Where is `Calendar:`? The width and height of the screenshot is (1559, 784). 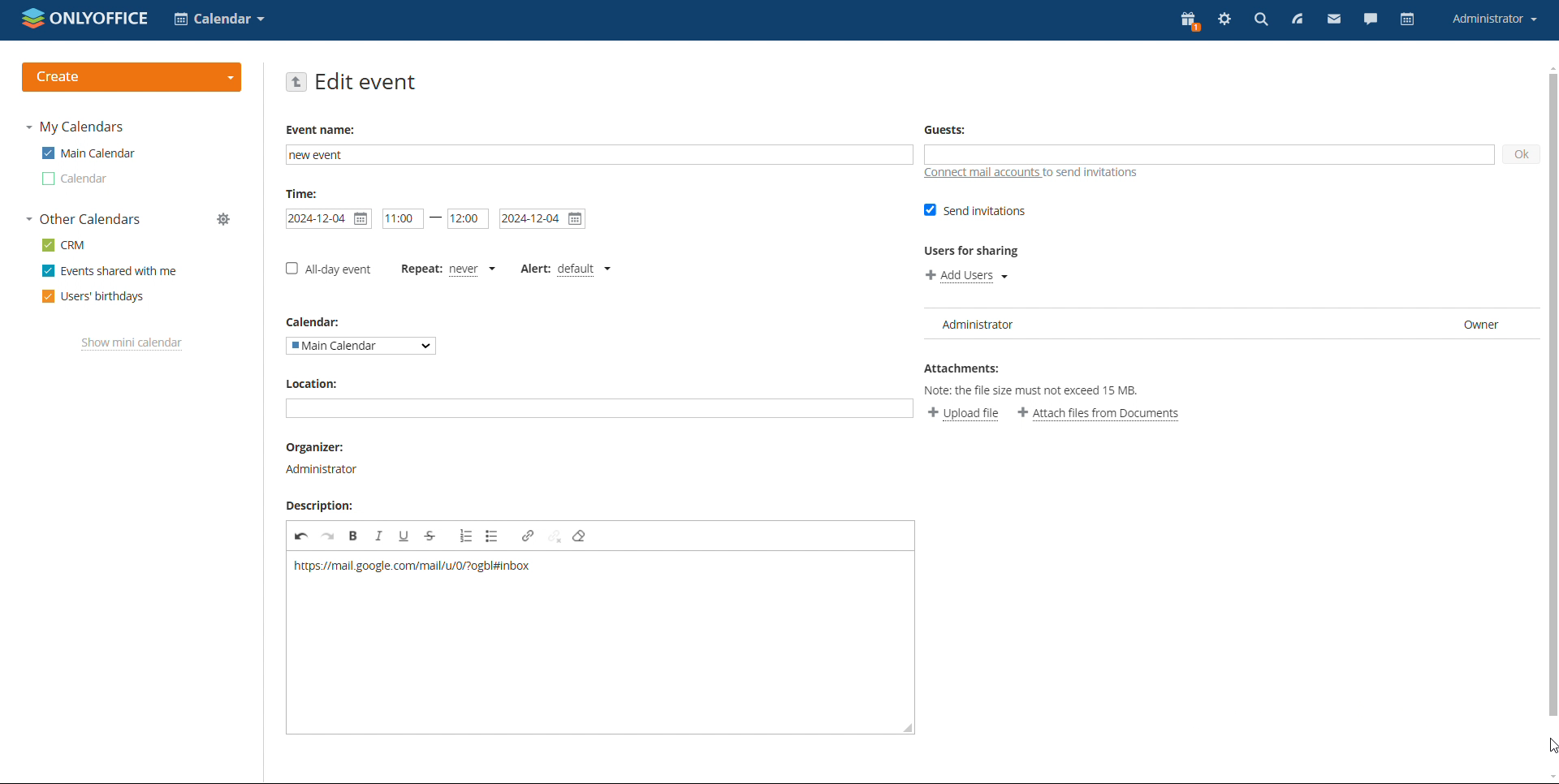 Calendar: is located at coordinates (322, 322).